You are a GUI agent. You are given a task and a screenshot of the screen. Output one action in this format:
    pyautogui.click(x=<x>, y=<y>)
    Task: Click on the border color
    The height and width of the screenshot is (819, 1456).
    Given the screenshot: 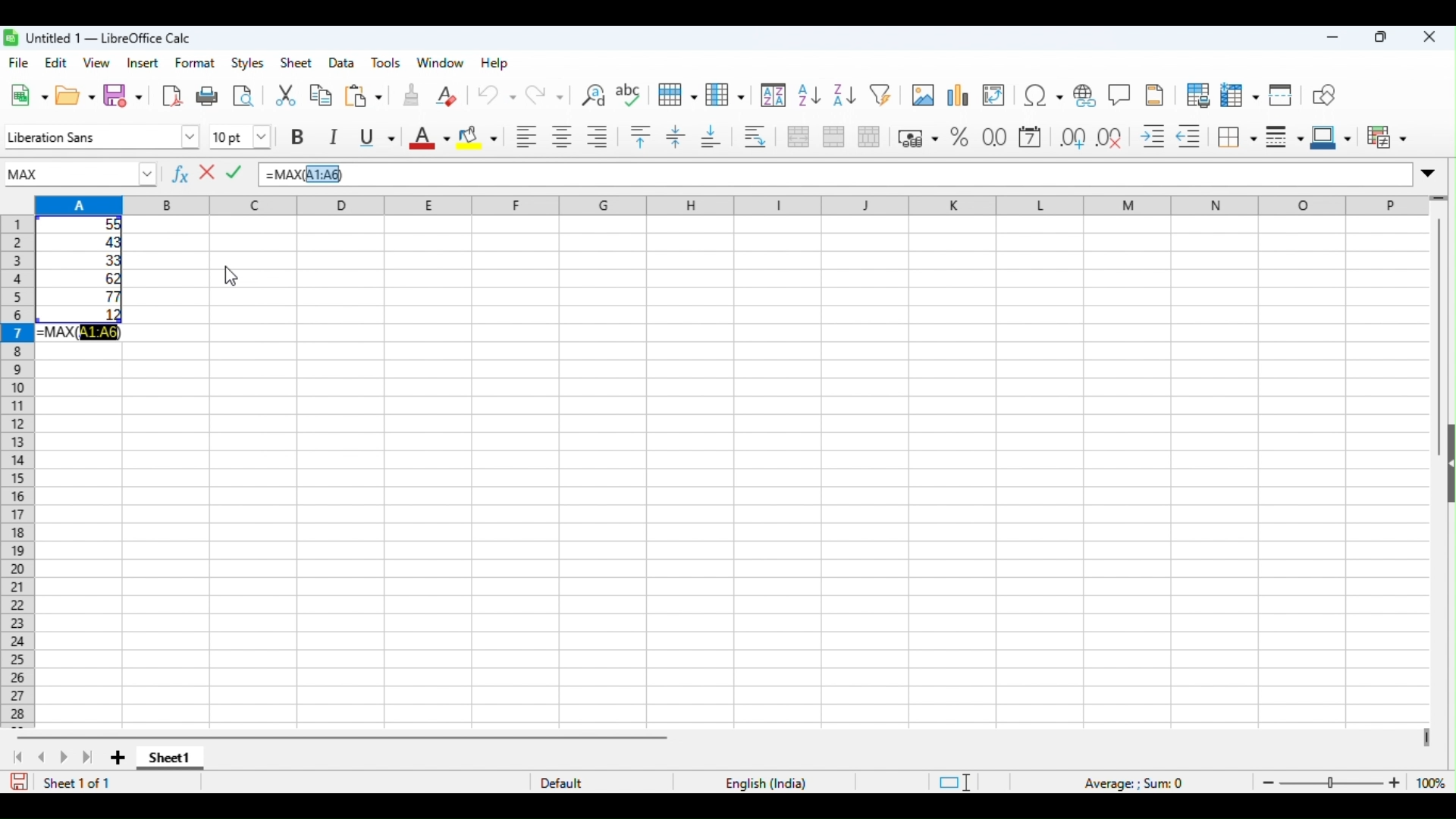 What is the action you would take?
    pyautogui.click(x=1330, y=136)
    